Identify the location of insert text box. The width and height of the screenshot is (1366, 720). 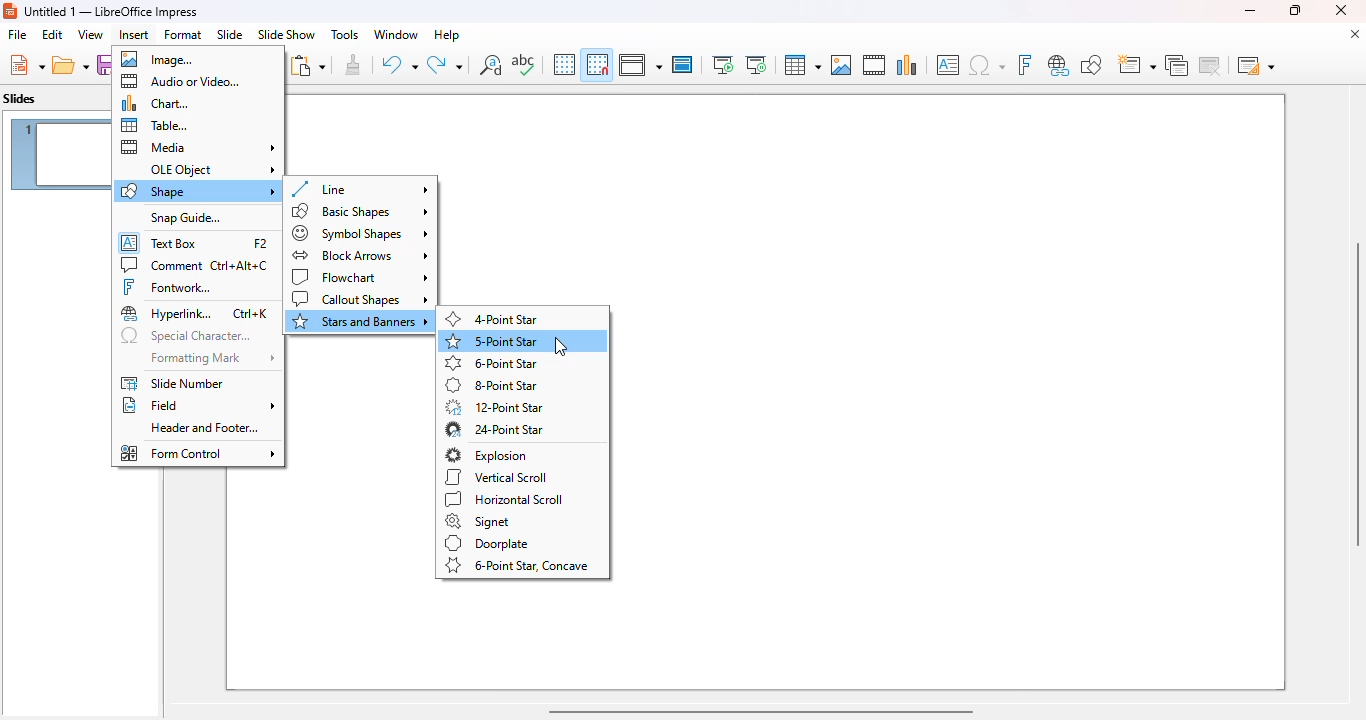
(948, 65).